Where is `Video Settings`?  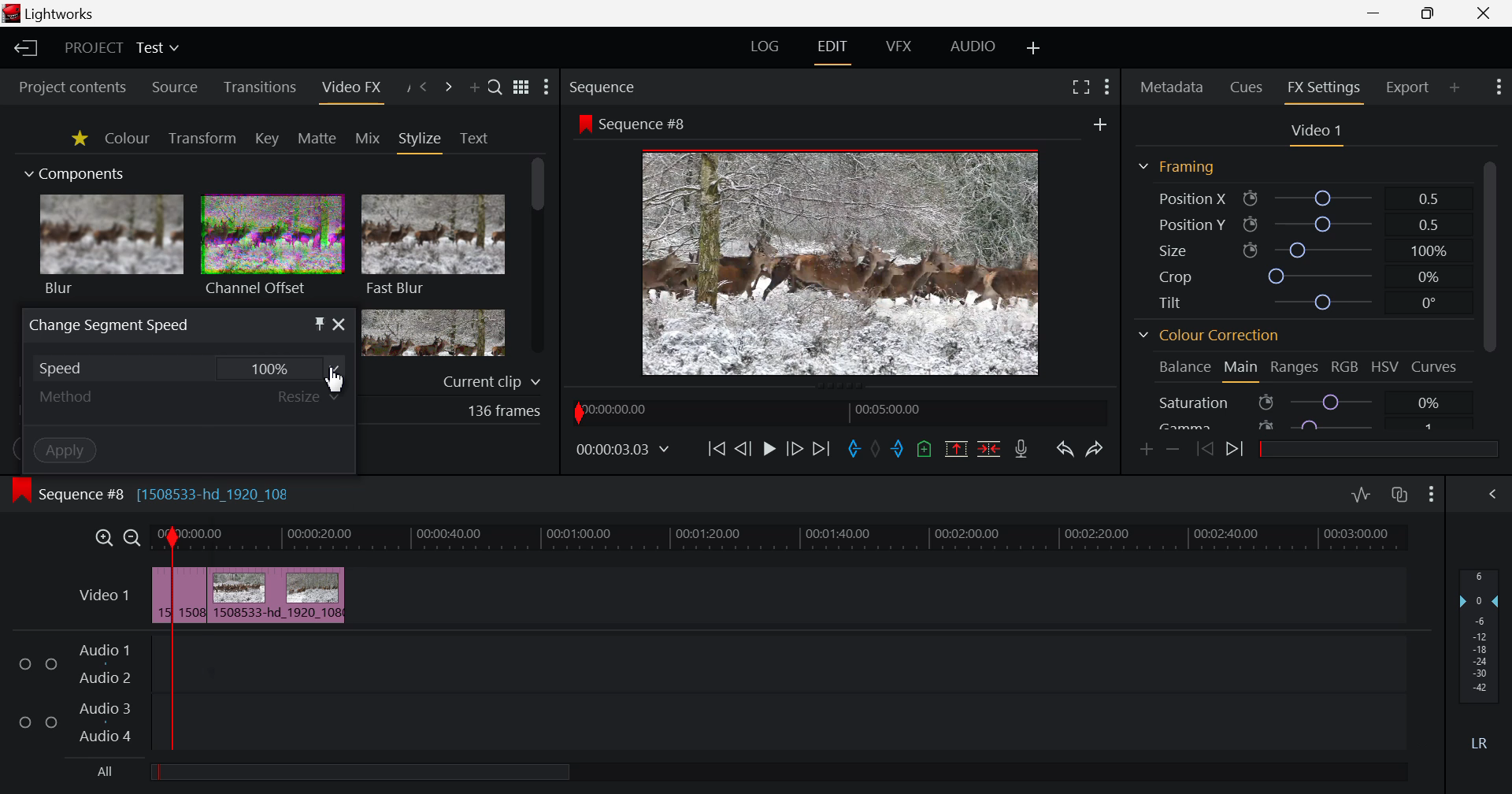
Video Settings is located at coordinates (1314, 133).